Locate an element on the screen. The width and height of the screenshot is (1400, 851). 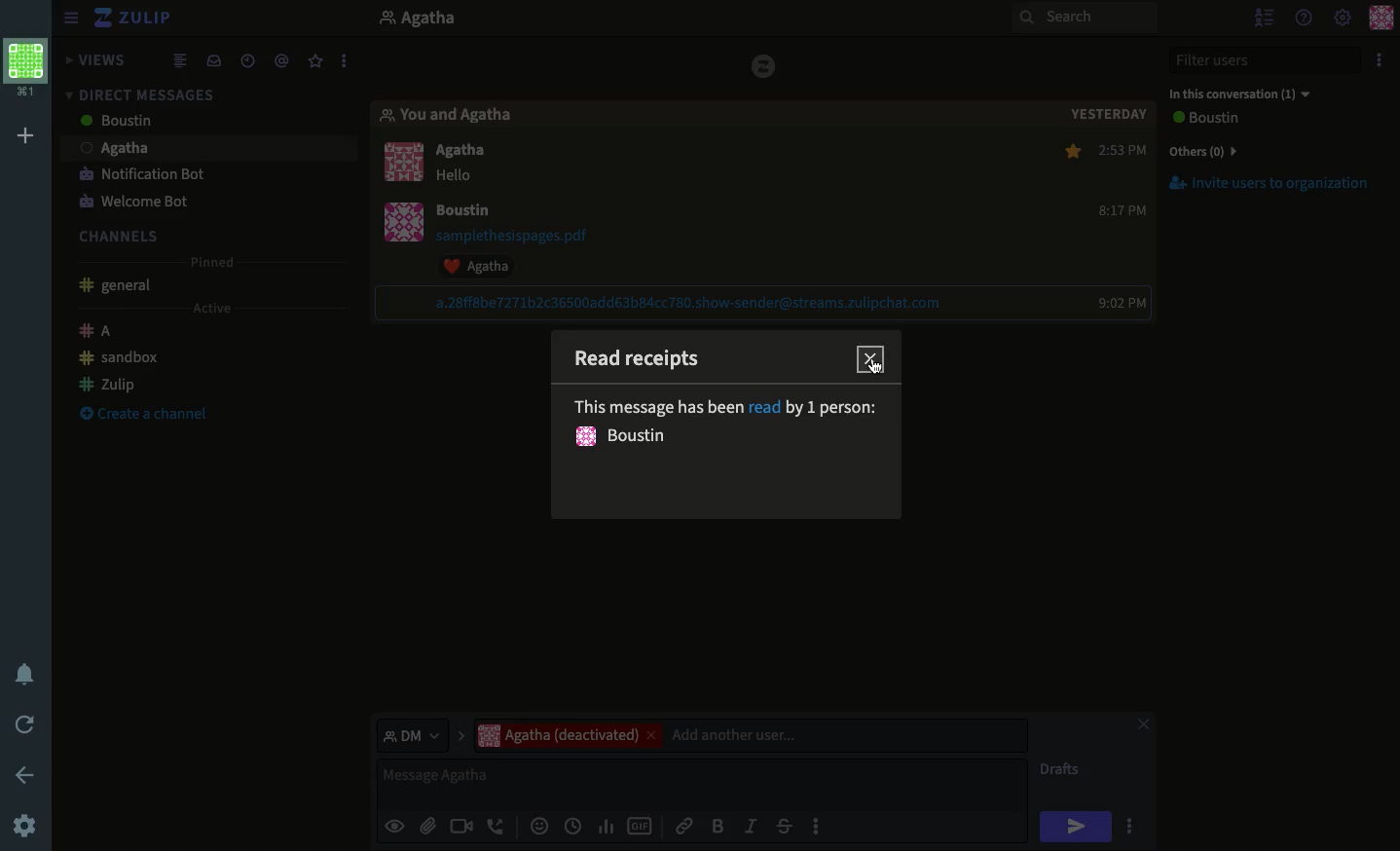
In this conversation is located at coordinates (1239, 94).